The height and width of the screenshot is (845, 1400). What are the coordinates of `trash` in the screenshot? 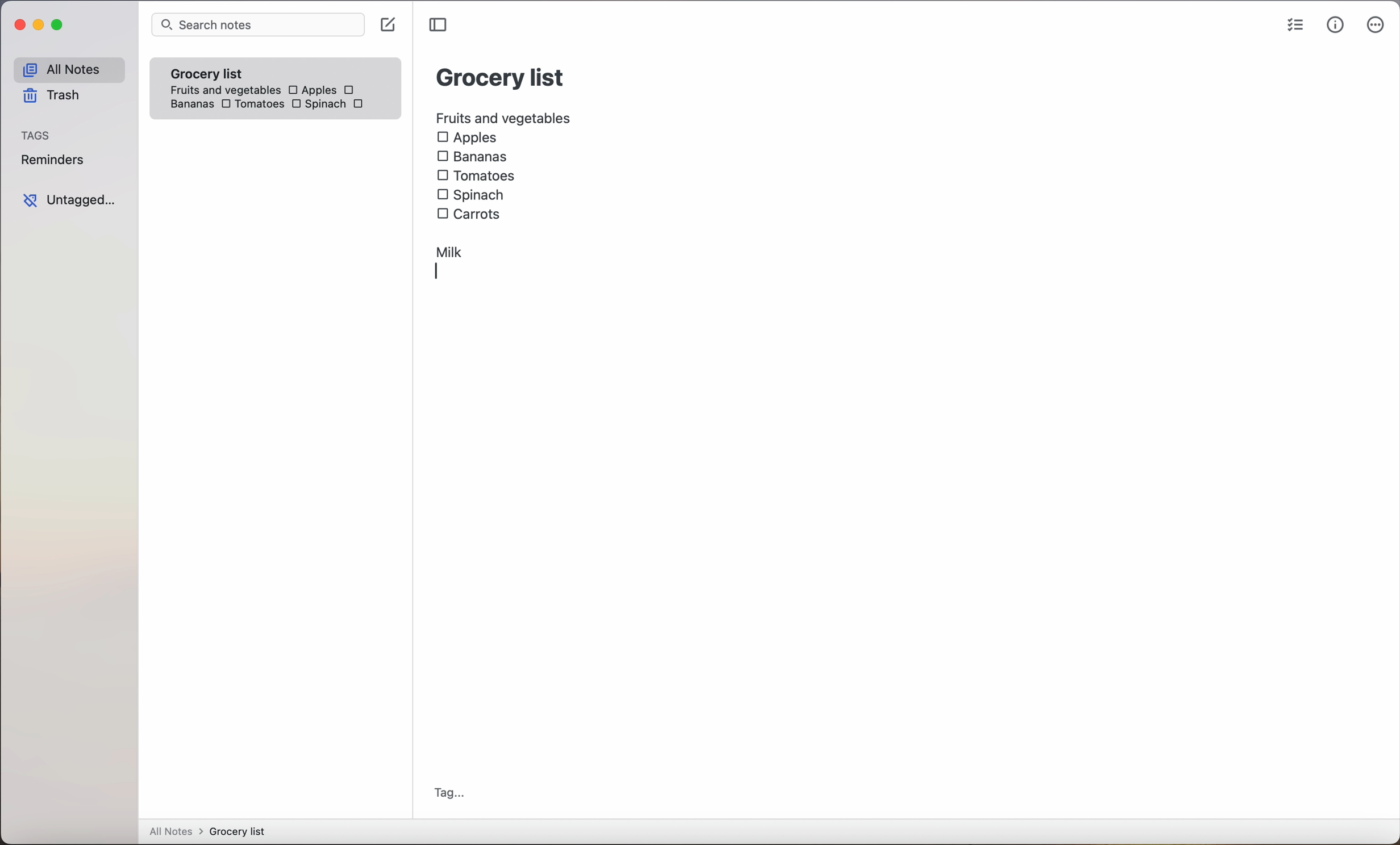 It's located at (50, 98).